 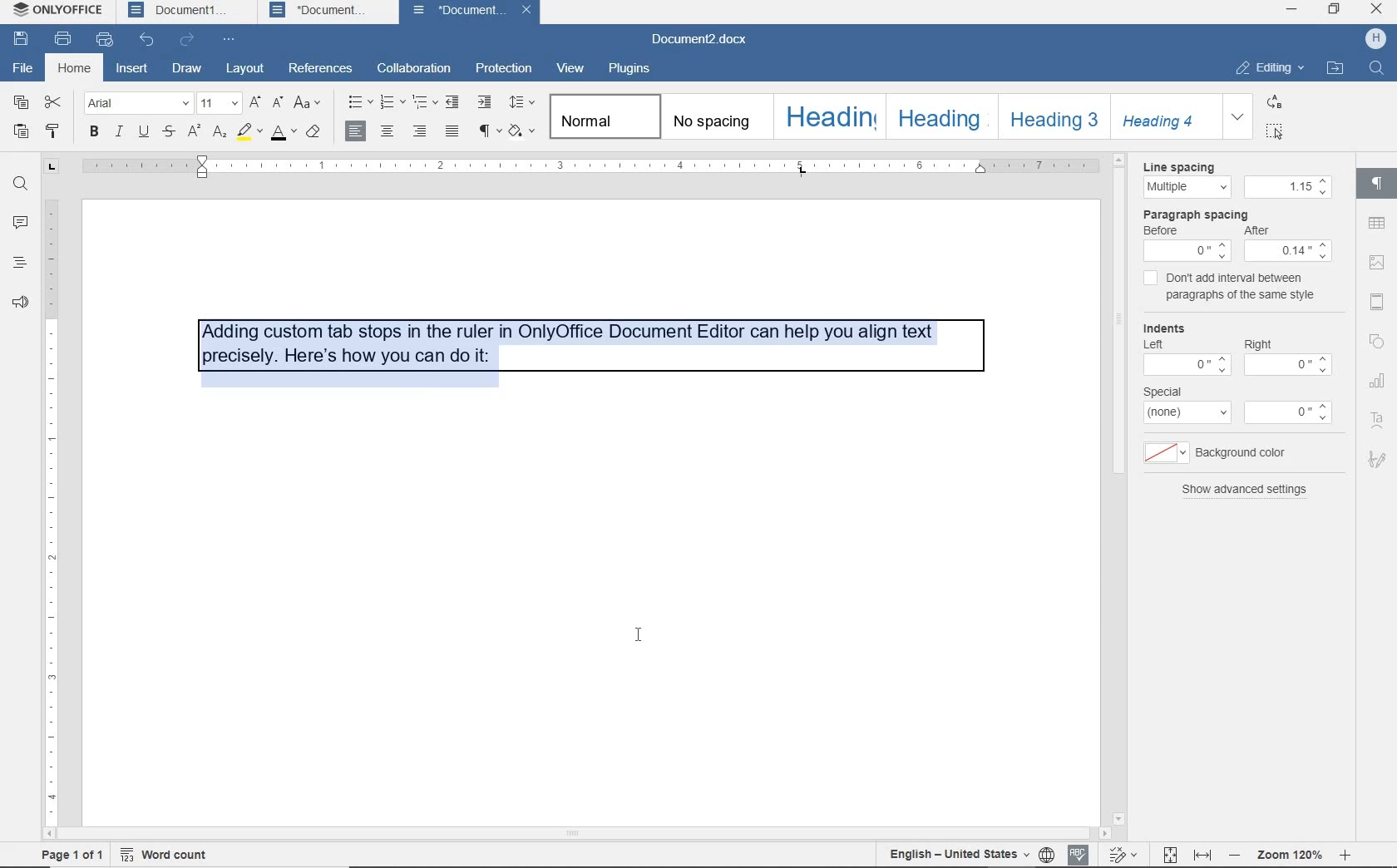 What do you see at coordinates (1167, 230) in the screenshot?
I see `before` at bounding box center [1167, 230].